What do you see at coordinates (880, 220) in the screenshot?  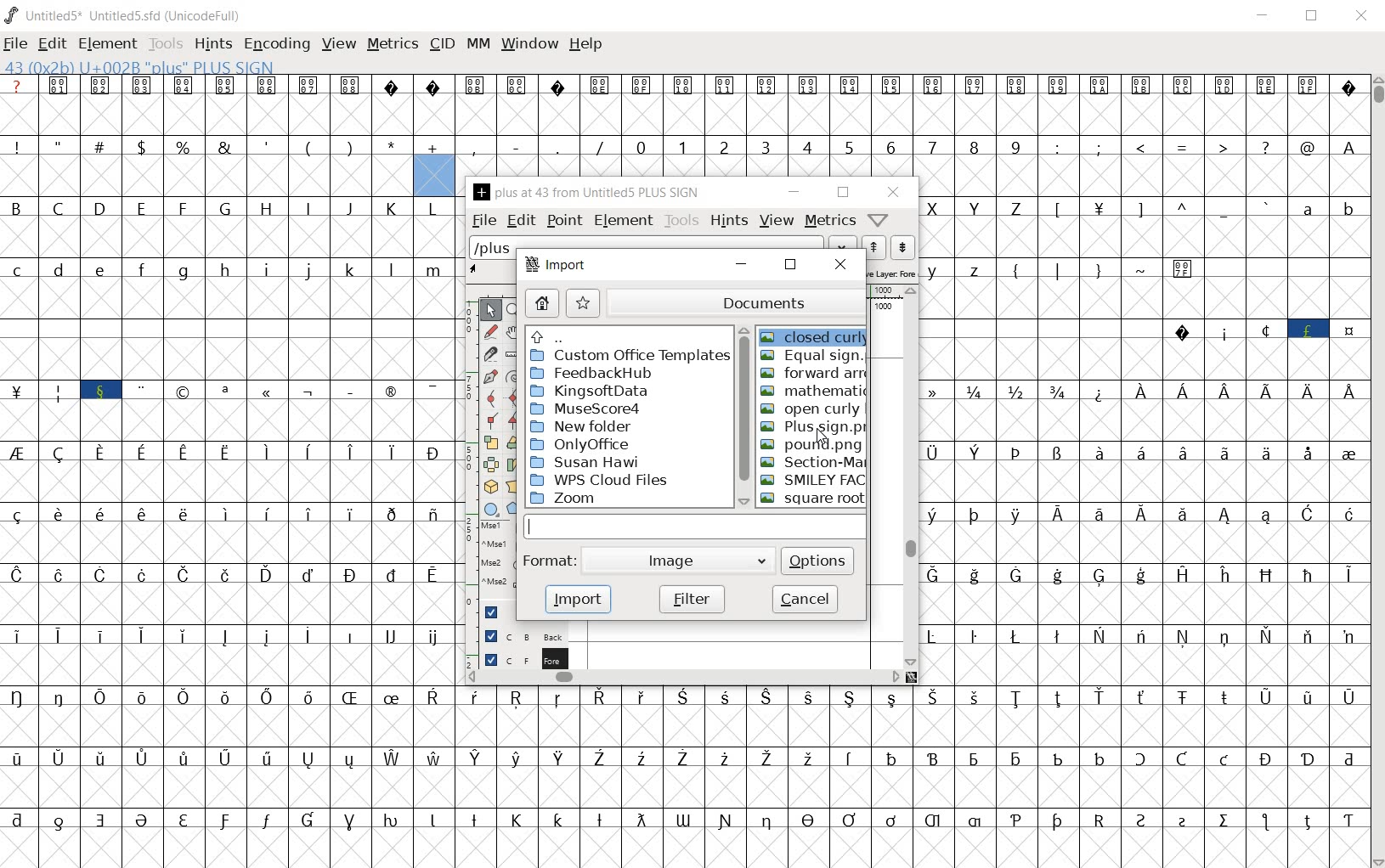 I see `Help/Window` at bounding box center [880, 220].